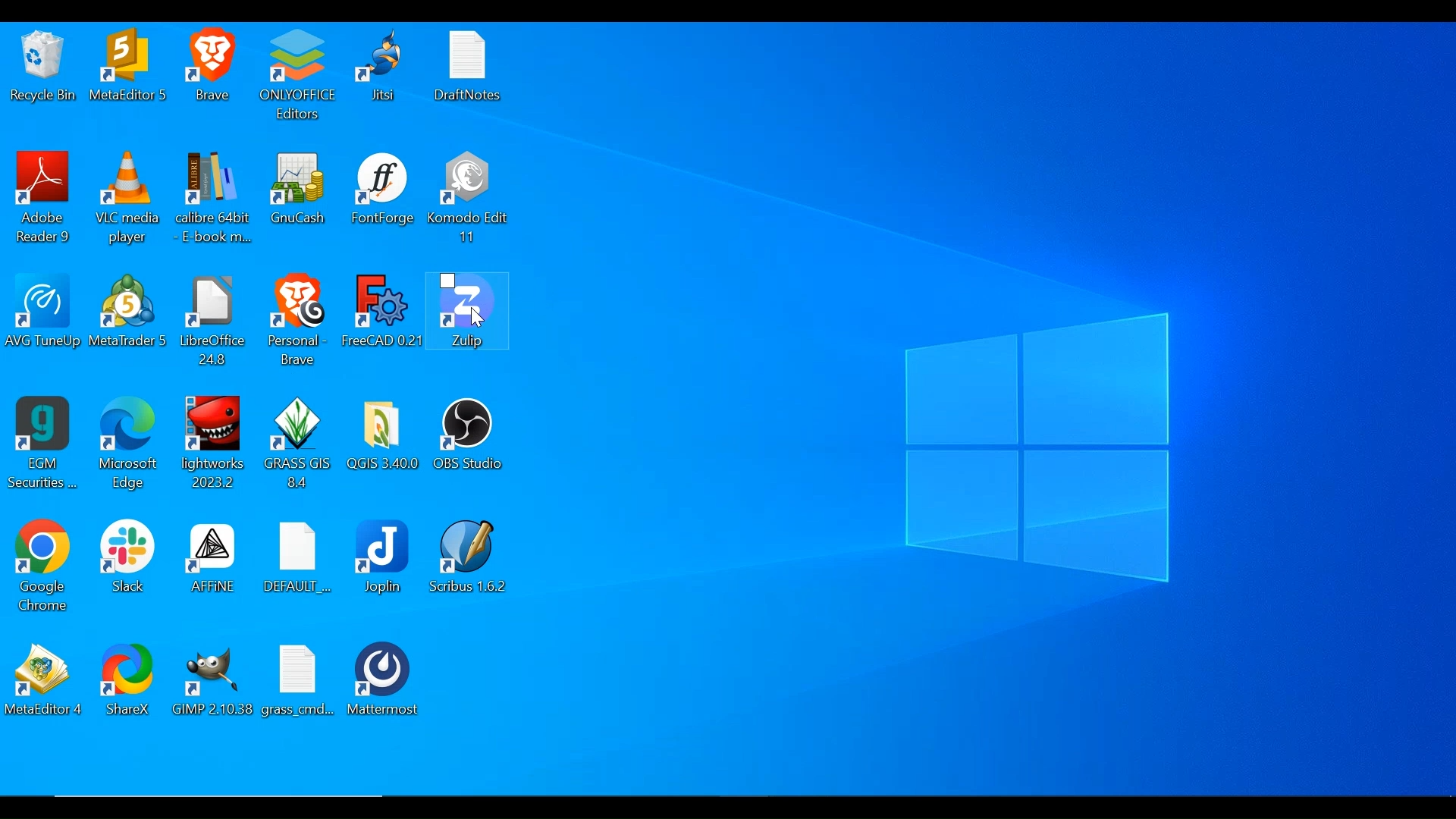 The image size is (1456, 819). I want to click on GRASS GIS Desktop icon, so click(300, 441).